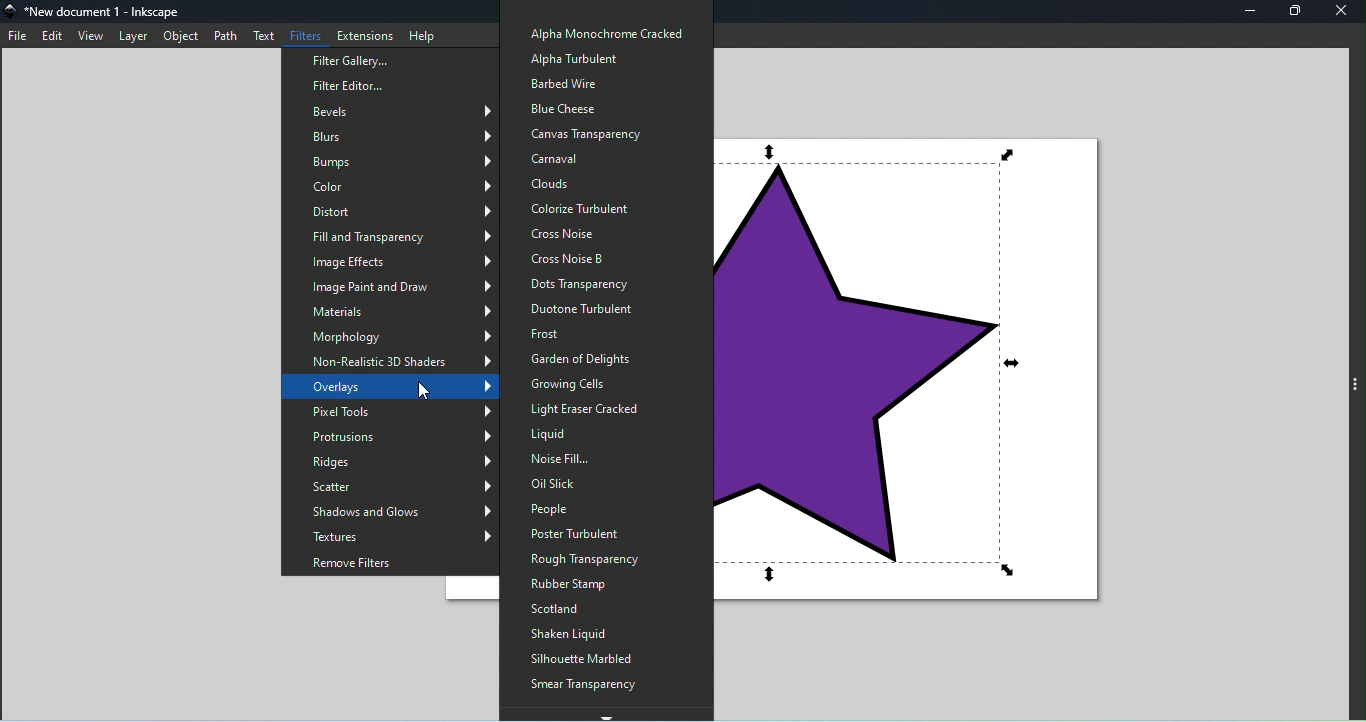  I want to click on Cross noise B, so click(600, 259).